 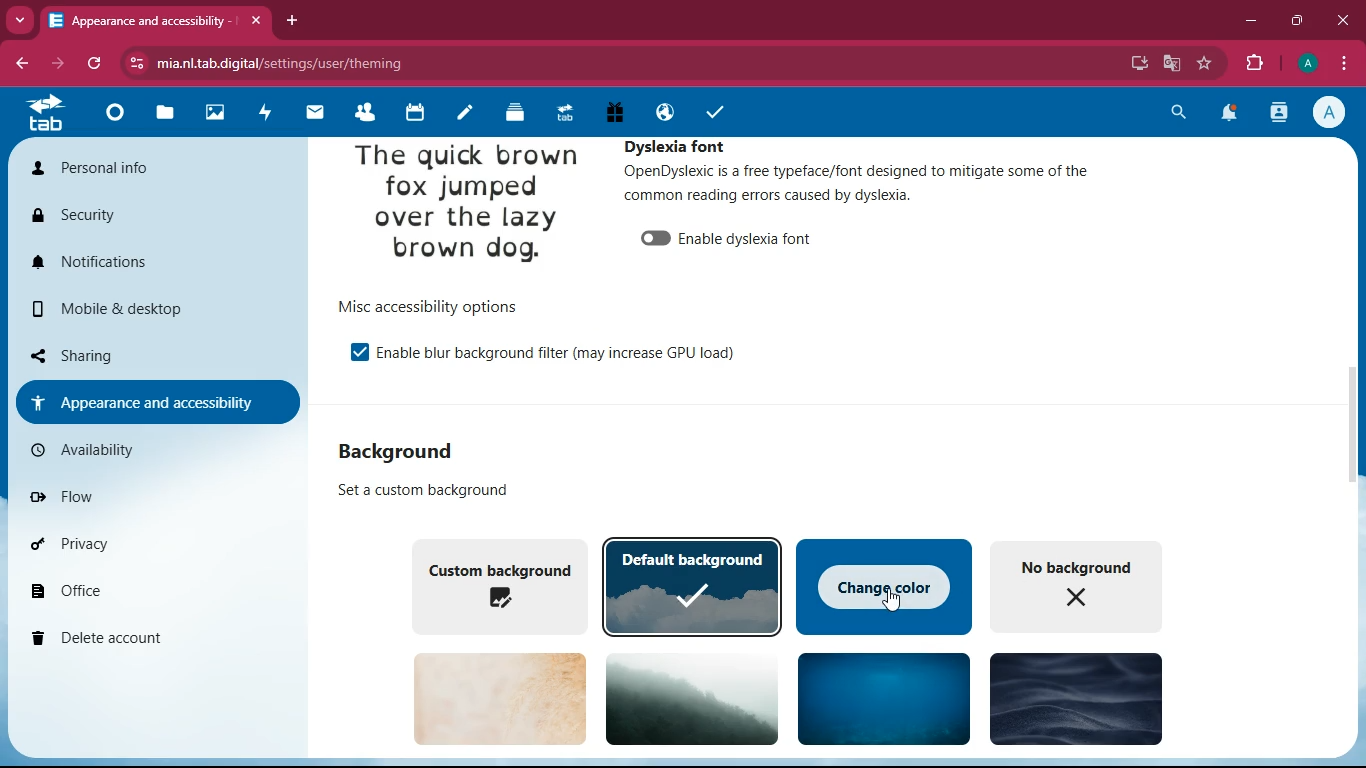 I want to click on favourite, so click(x=1205, y=63).